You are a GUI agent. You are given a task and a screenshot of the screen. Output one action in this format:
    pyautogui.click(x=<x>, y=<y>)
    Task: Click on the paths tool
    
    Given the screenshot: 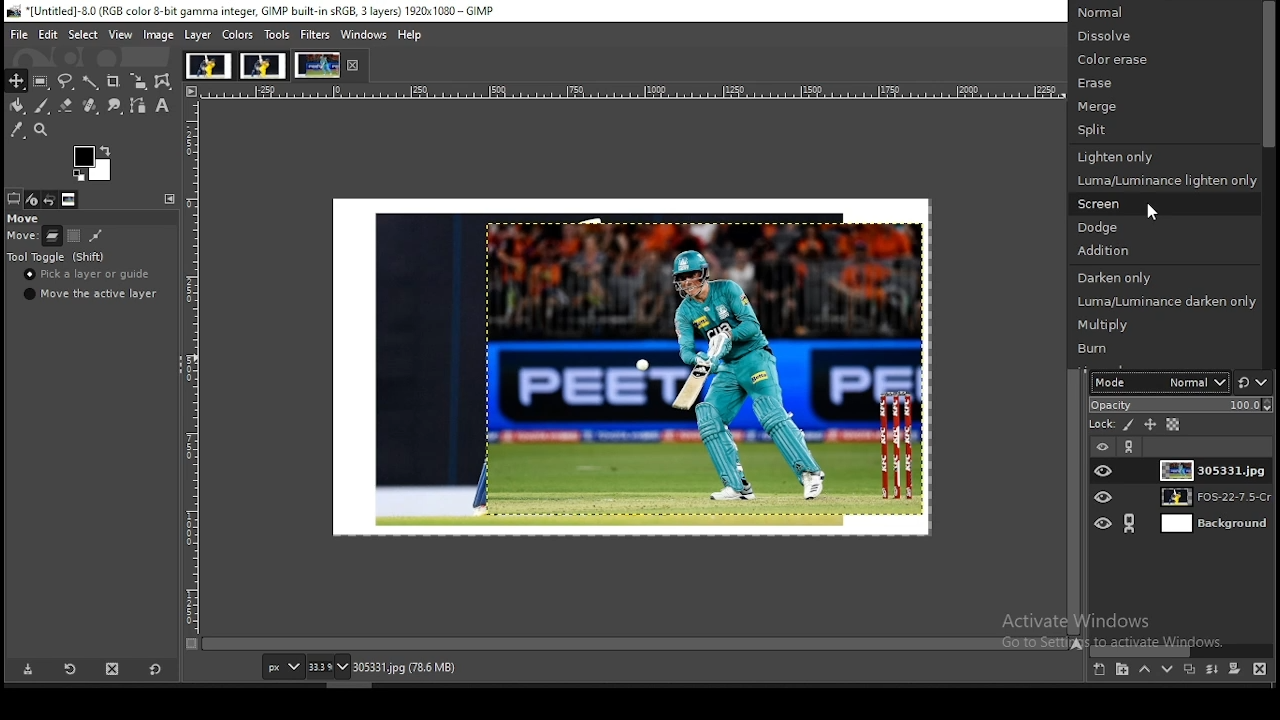 What is the action you would take?
    pyautogui.click(x=139, y=106)
    